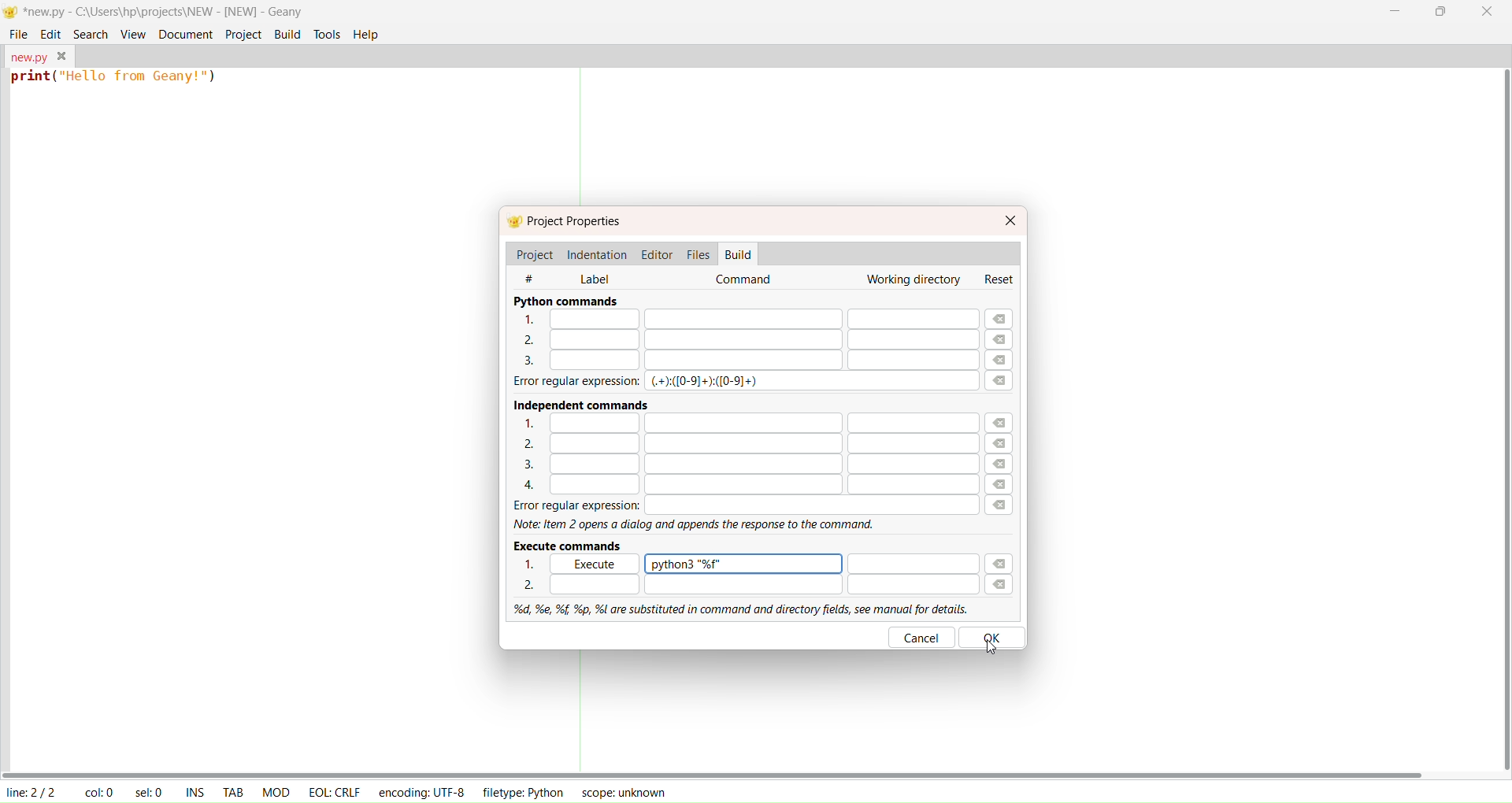 This screenshot has height=803, width=1512. What do you see at coordinates (1002, 279) in the screenshot?
I see `reset` at bounding box center [1002, 279].